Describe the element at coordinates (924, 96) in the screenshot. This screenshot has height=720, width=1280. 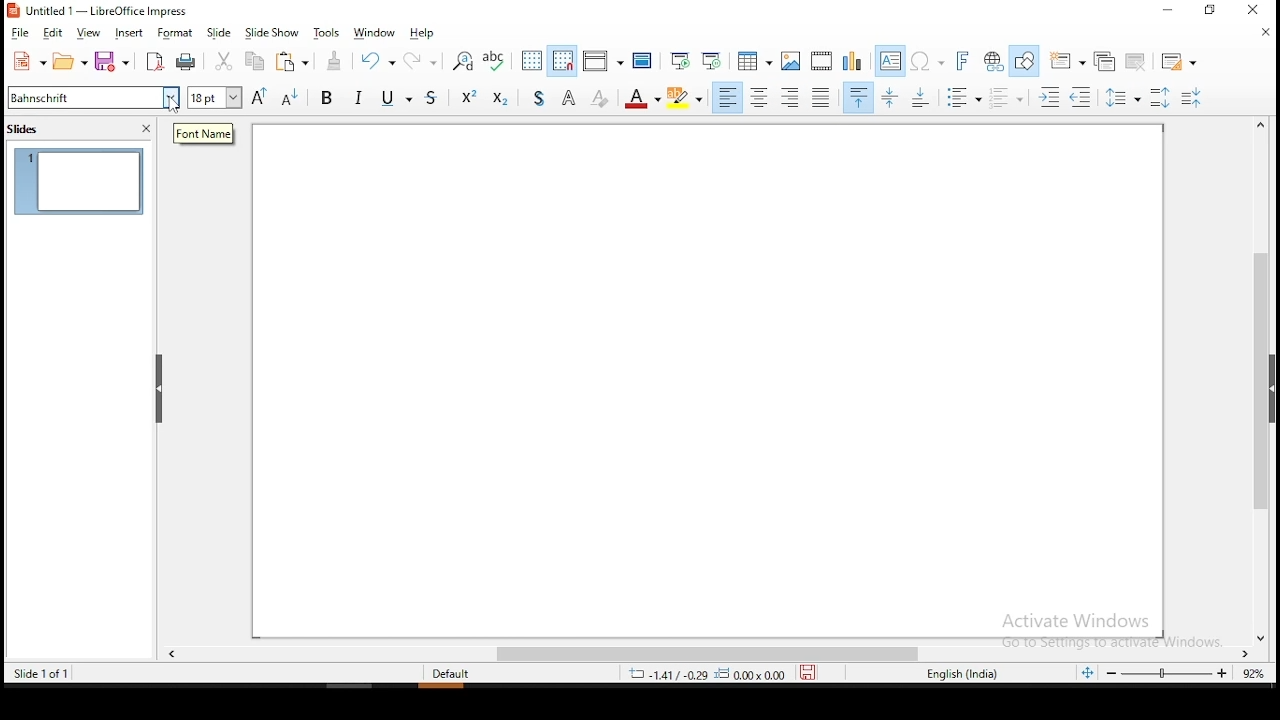
I see `align bottom` at that location.